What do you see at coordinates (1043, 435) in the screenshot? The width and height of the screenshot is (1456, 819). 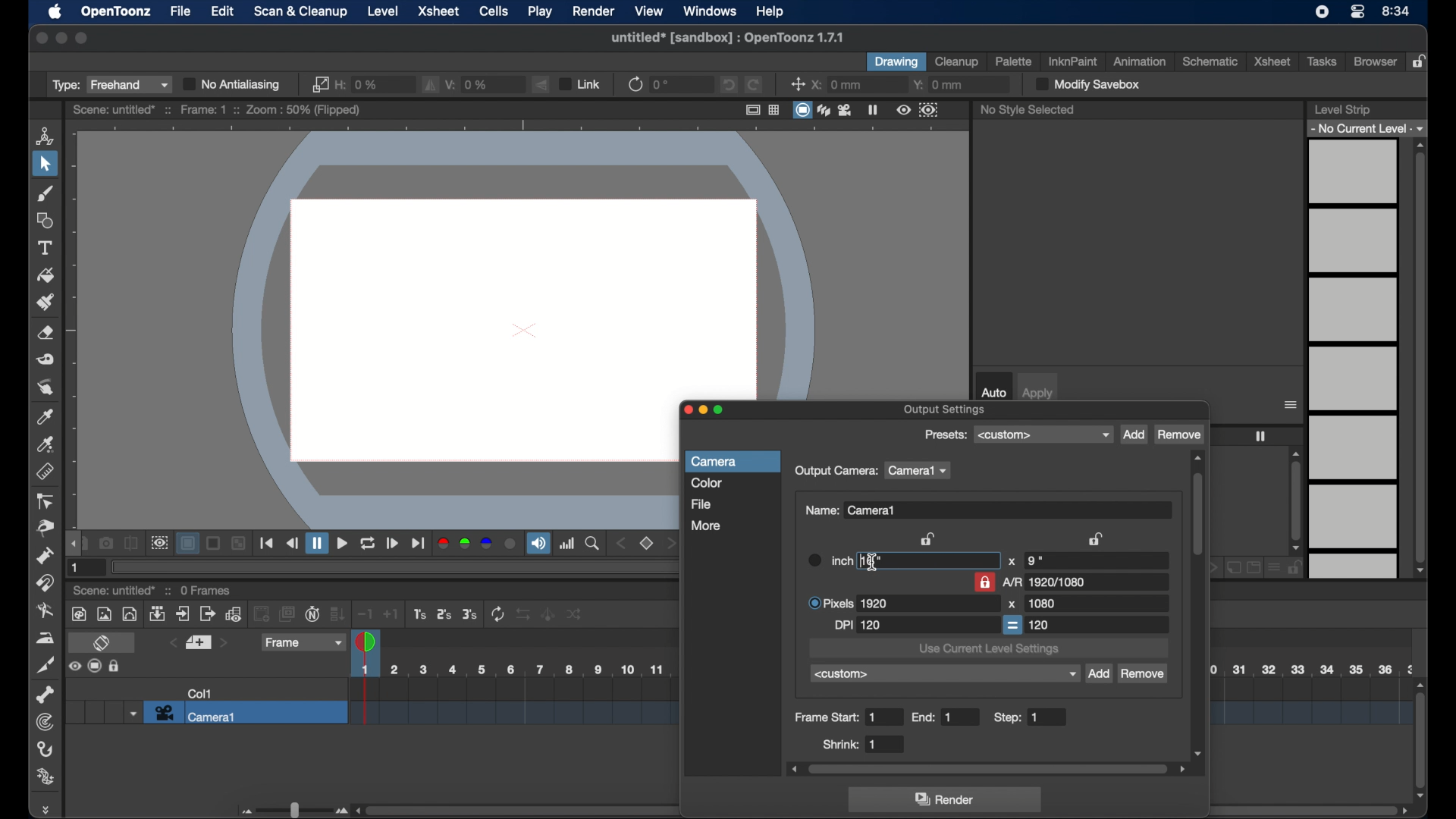 I see `presets` at bounding box center [1043, 435].